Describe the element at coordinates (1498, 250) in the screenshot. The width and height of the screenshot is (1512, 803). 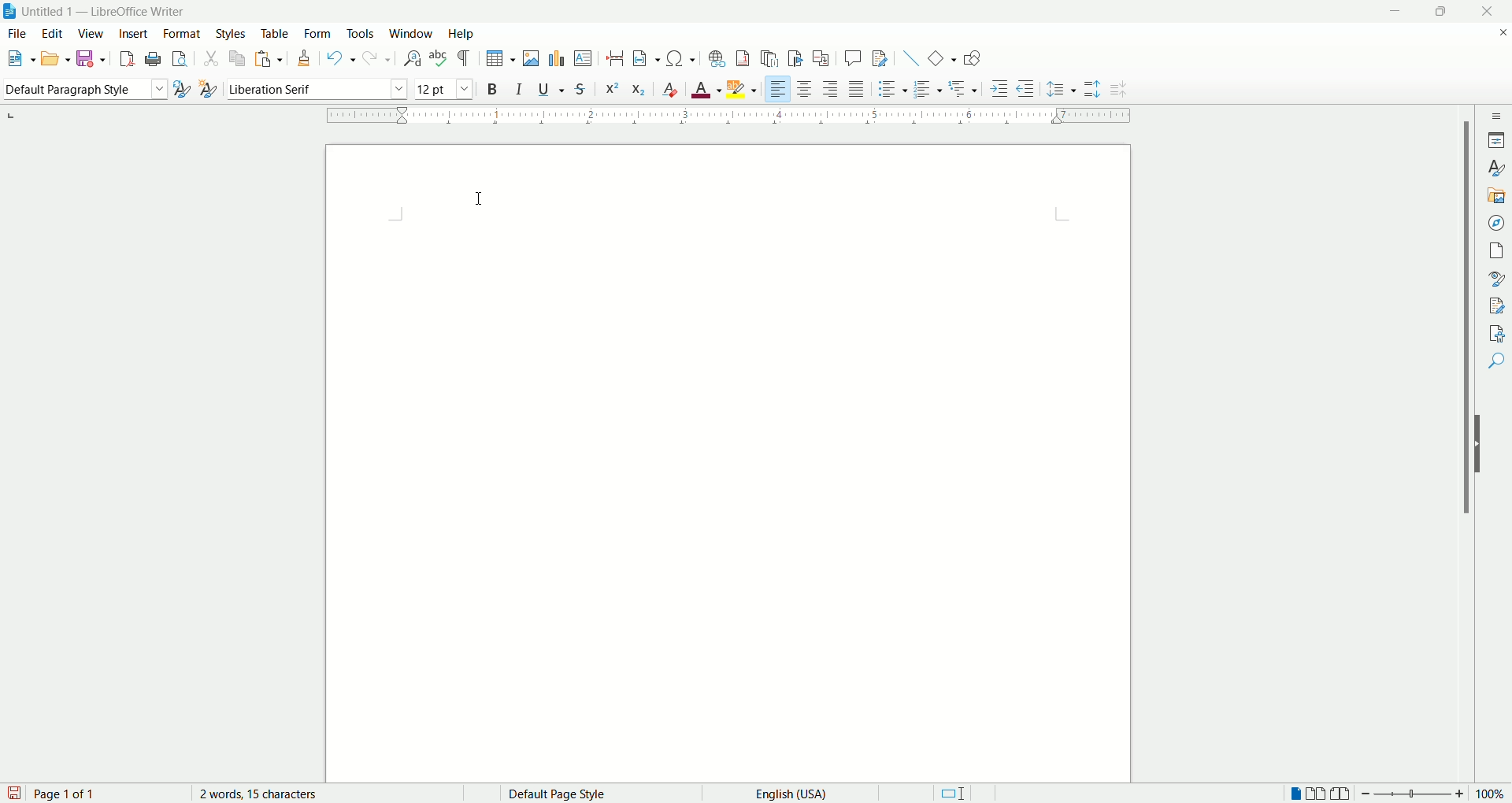
I see `pages` at that location.